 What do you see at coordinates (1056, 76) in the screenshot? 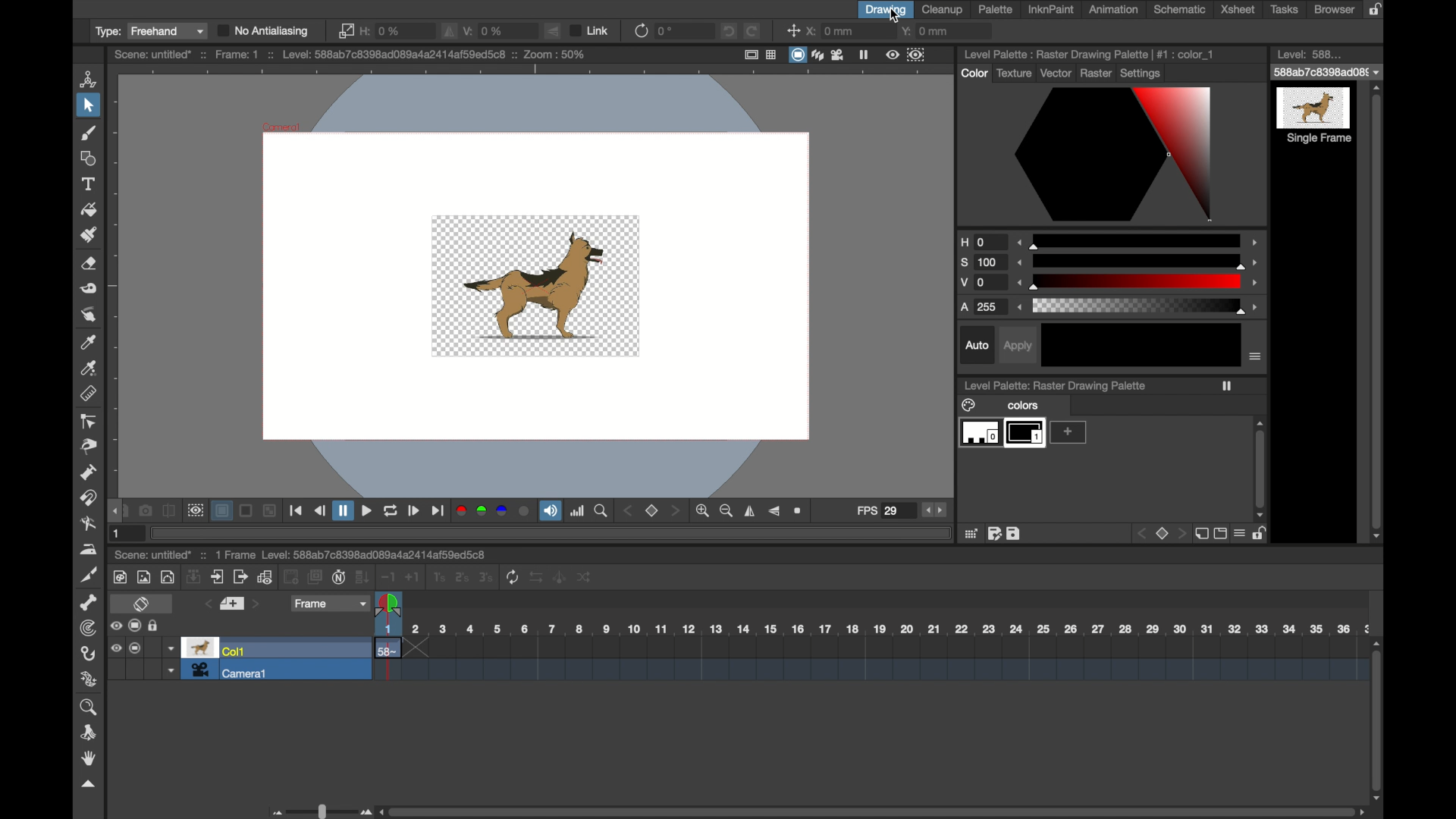
I see `vector` at bounding box center [1056, 76].